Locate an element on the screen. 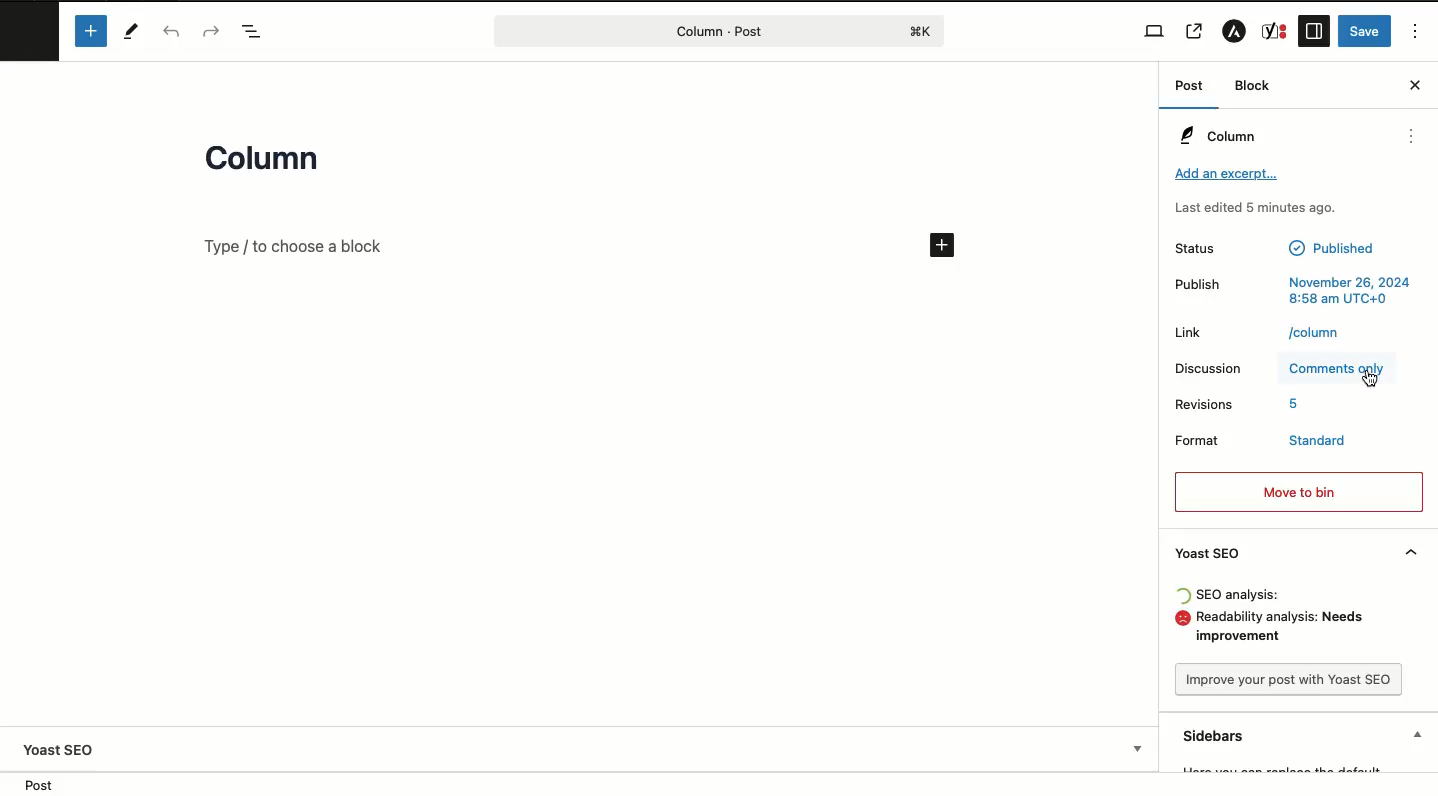  Document overview is located at coordinates (257, 33).